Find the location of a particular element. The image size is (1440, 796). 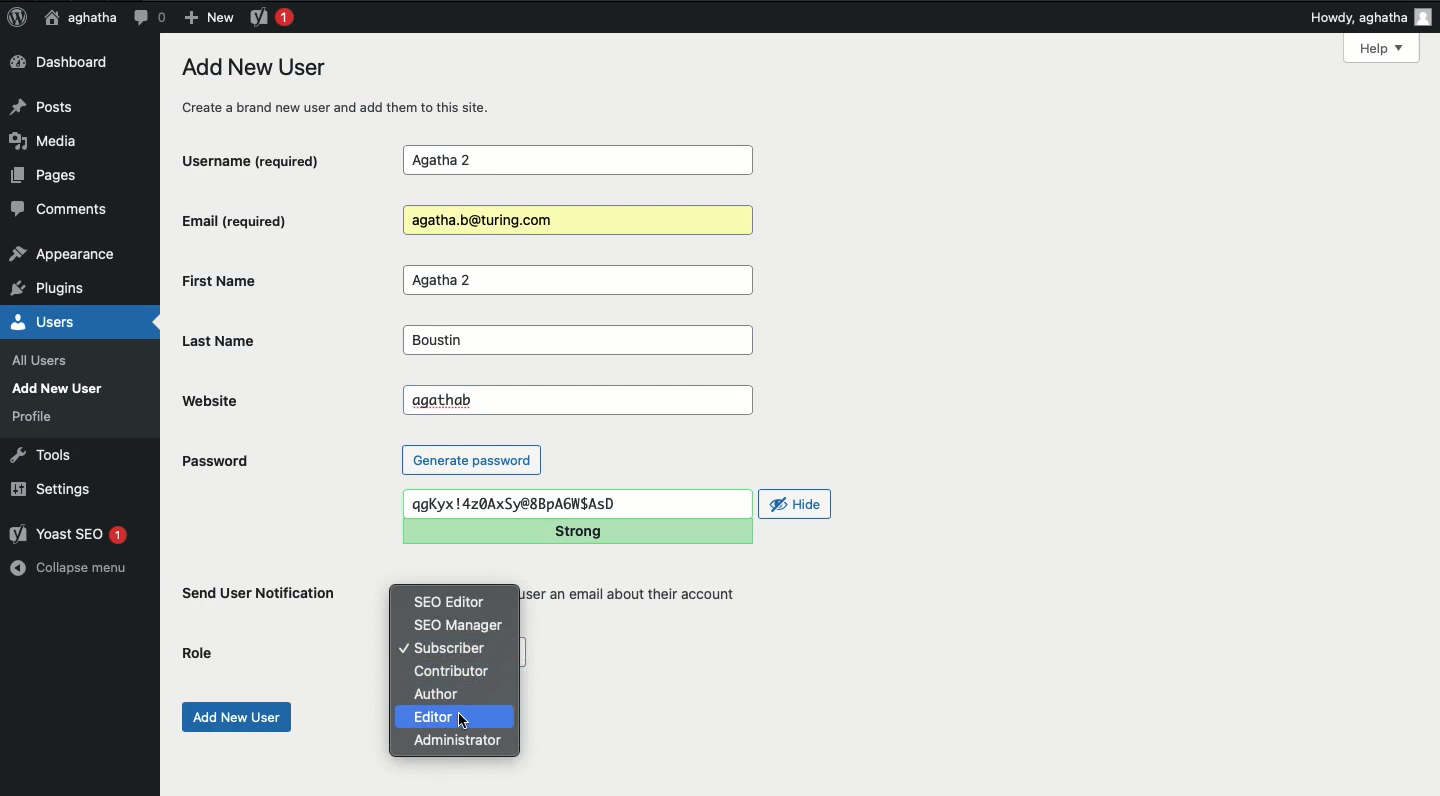

Username (required) is located at coordinates (269, 159).